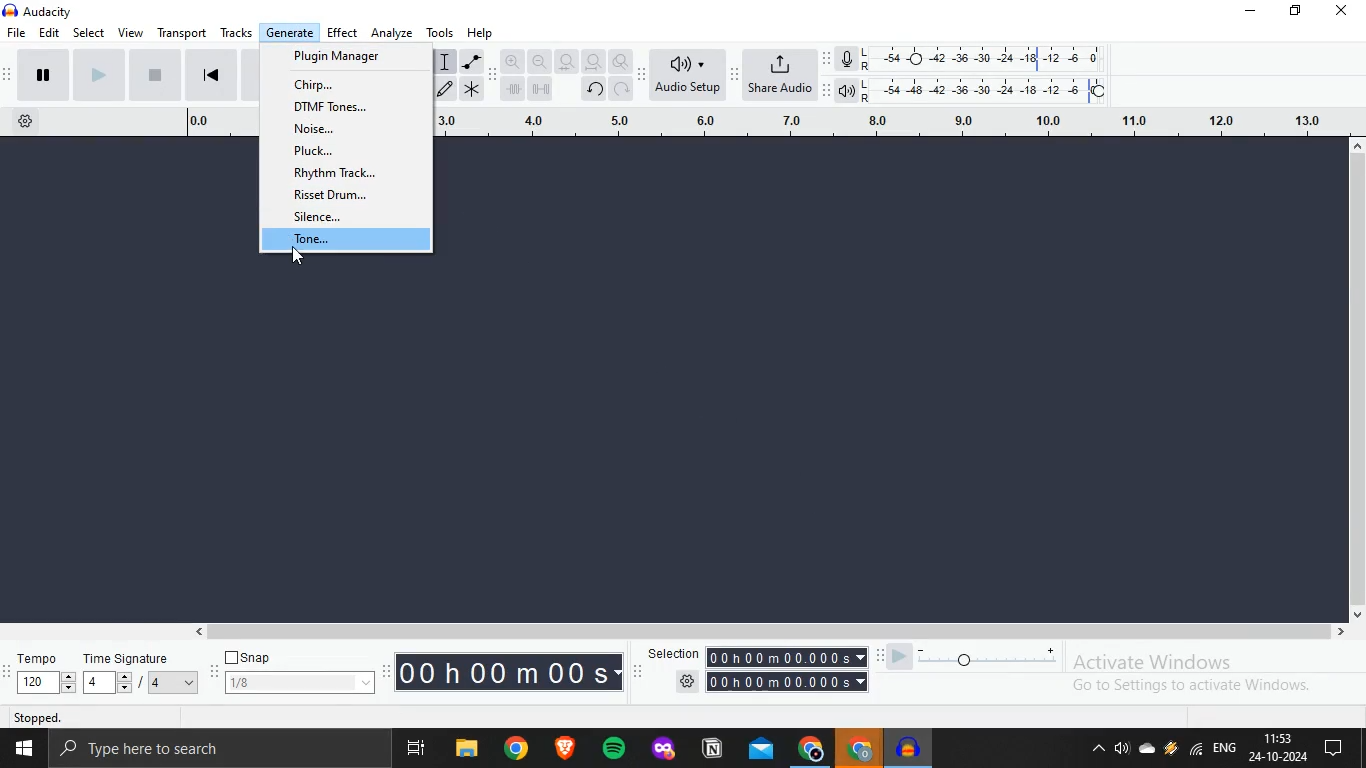  What do you see at coordinates (970, 654) in the screenshot?
I see `Slider` at bounding box center [970, 654].